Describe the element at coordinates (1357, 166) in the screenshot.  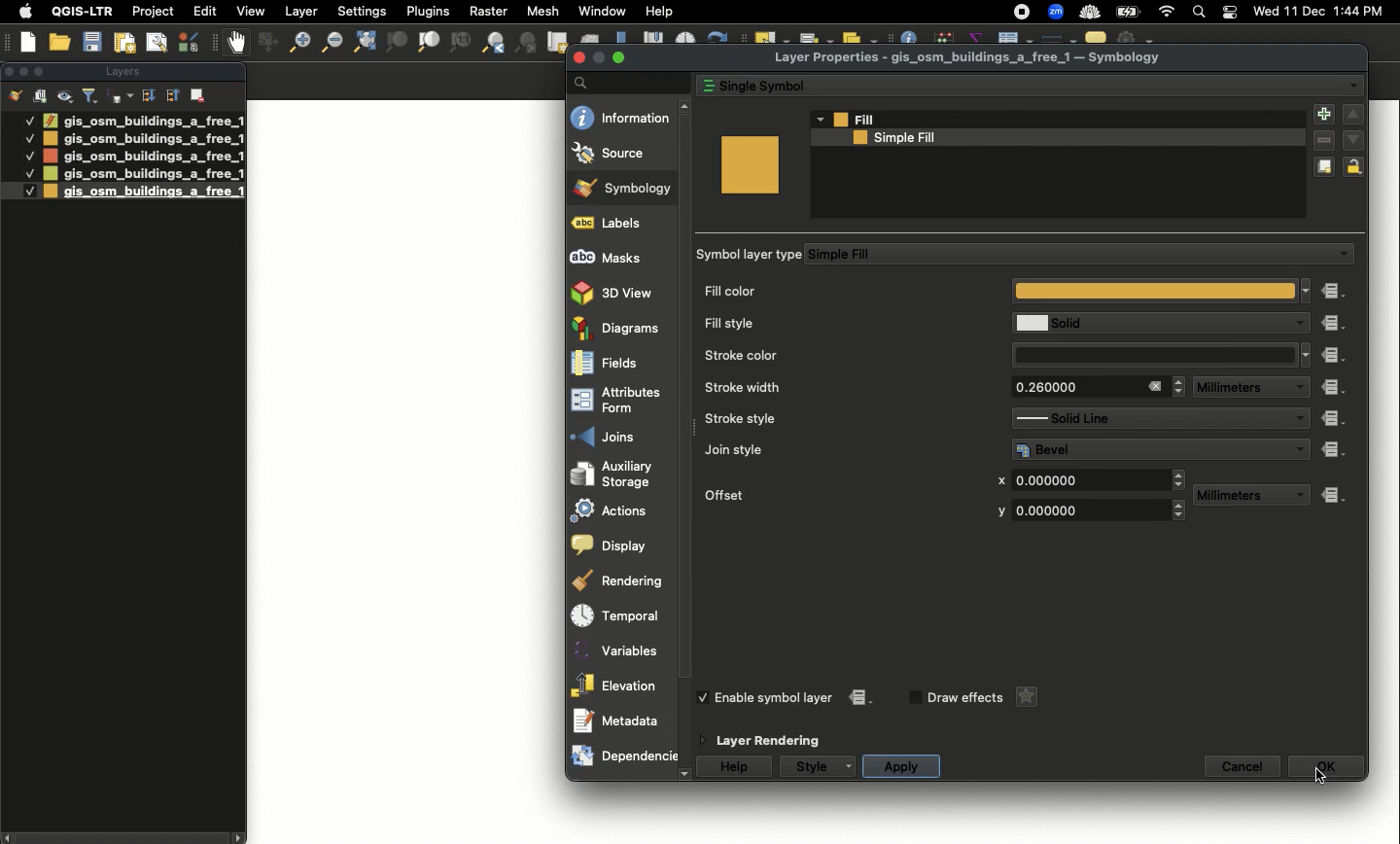
I see `Lock` at that location.